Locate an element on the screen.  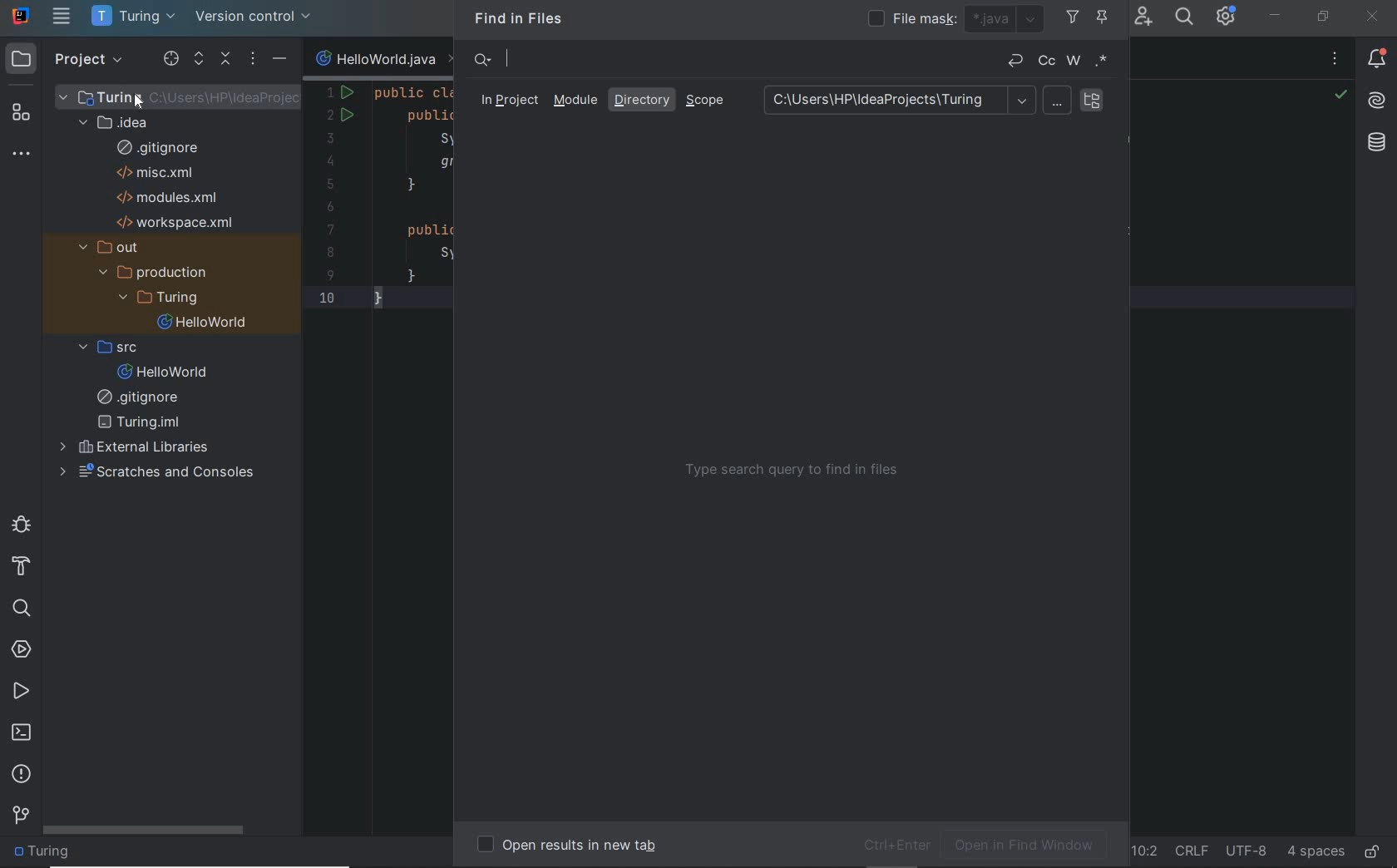
scope is located at coordinates (708, 101).